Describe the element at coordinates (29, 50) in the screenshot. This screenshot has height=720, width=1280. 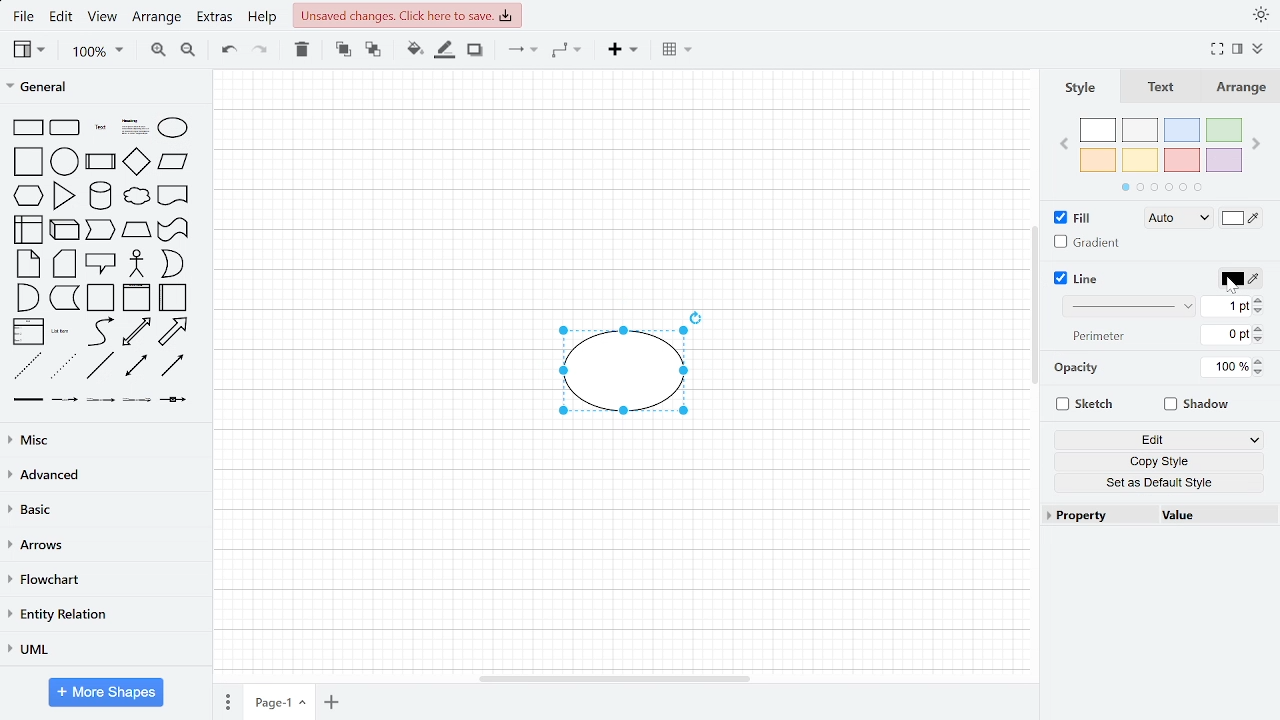
I see `view` at that location.